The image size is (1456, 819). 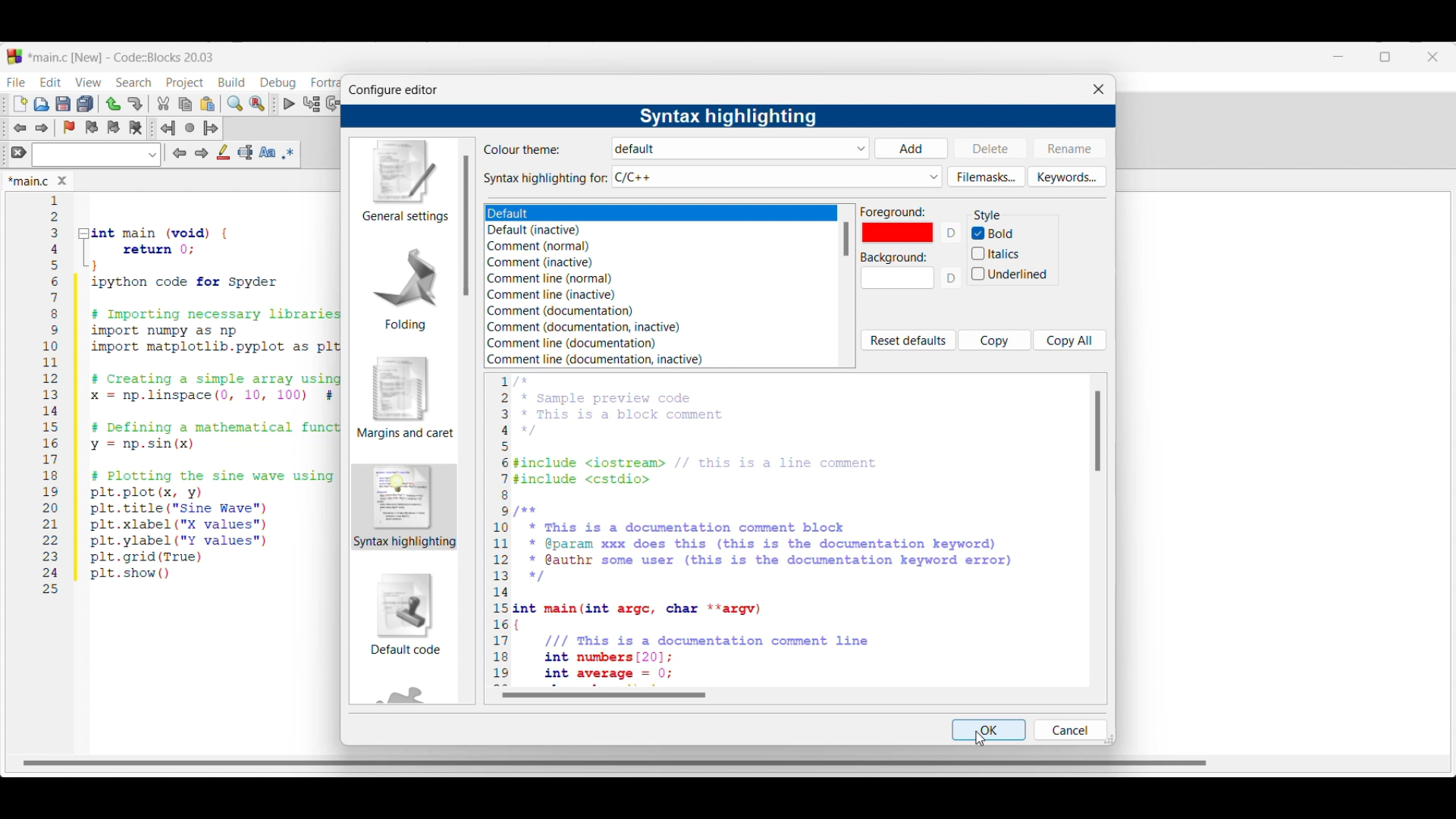 I want to click on Minimize , so click(x=1338, y=57).